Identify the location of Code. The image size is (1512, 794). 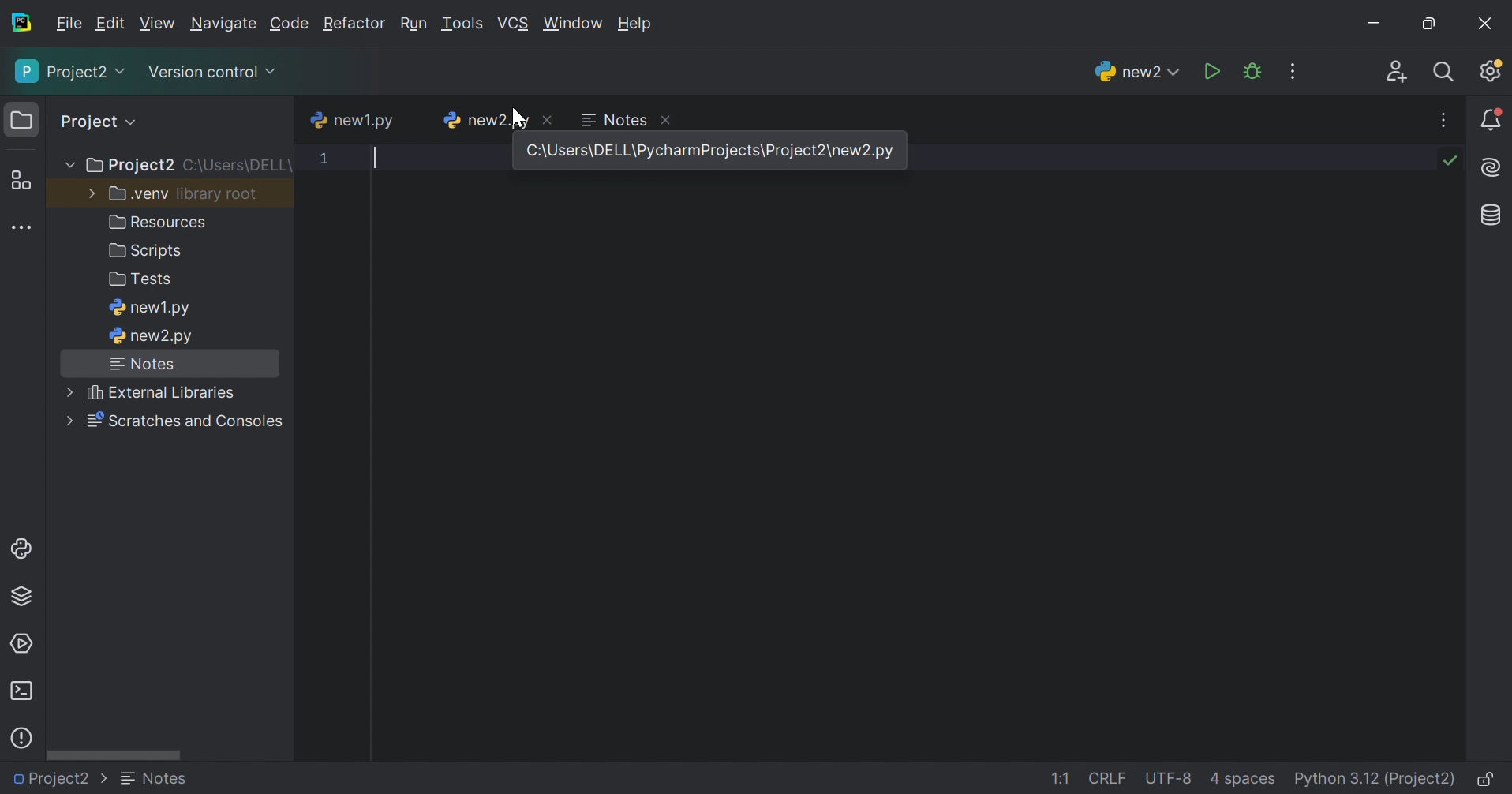
(290, 24).